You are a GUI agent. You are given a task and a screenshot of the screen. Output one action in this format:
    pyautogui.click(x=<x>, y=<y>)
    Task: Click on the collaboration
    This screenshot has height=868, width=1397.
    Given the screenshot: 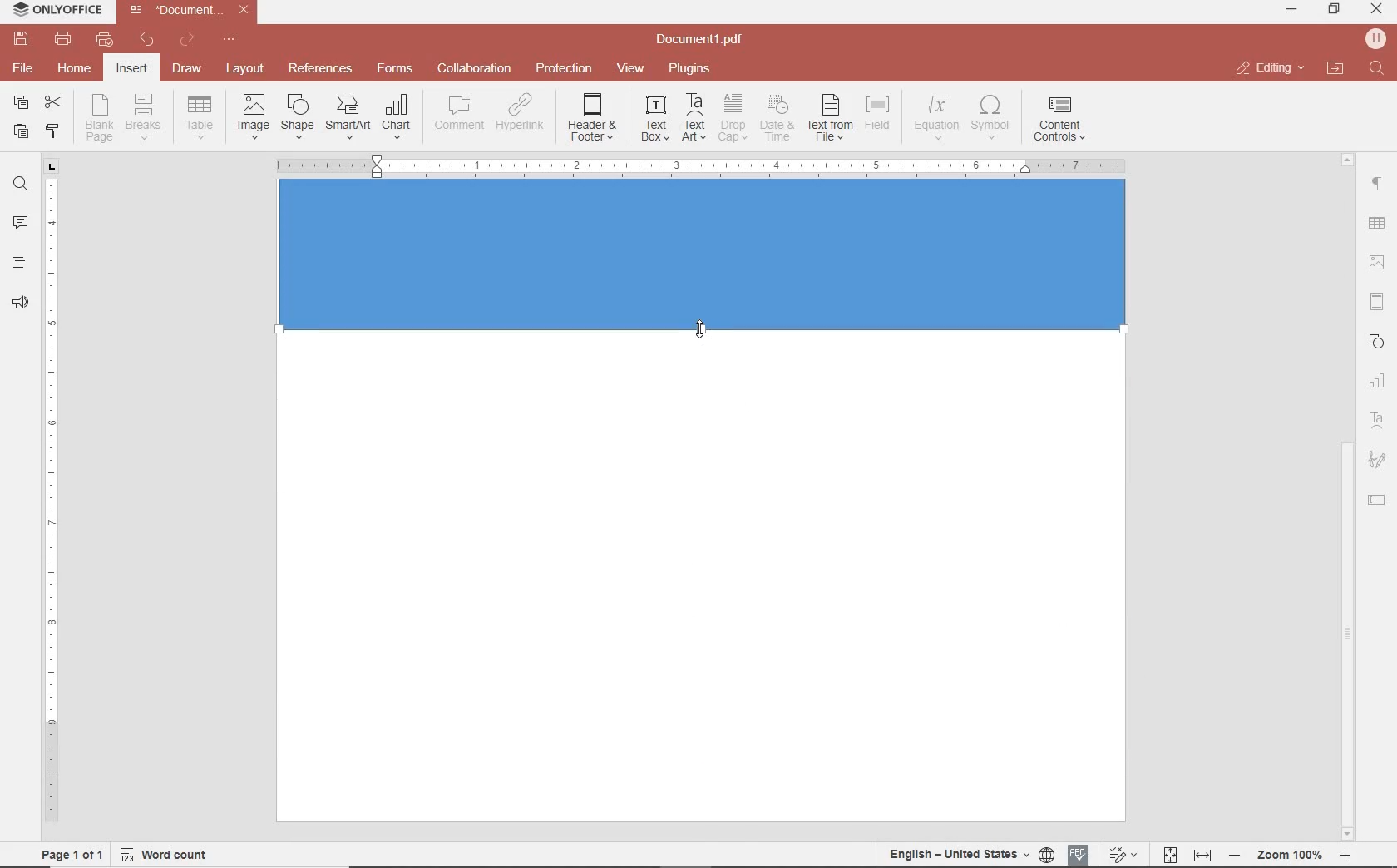 What is the action you would take?
    pyautogui.click(x=474, y=69)
    